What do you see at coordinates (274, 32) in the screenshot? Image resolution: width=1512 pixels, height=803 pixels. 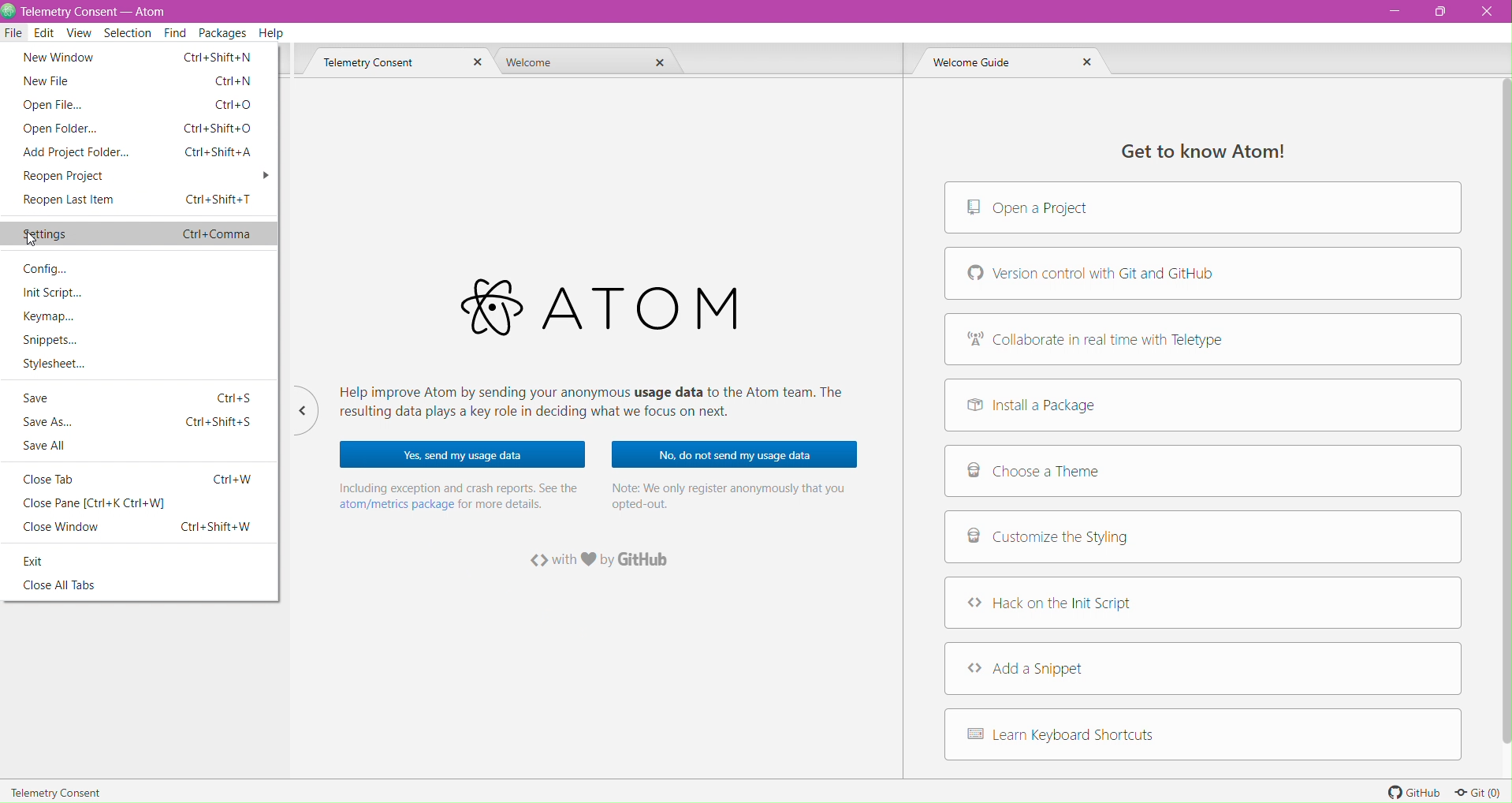 I see `Help` at bounding box center [274, 32].